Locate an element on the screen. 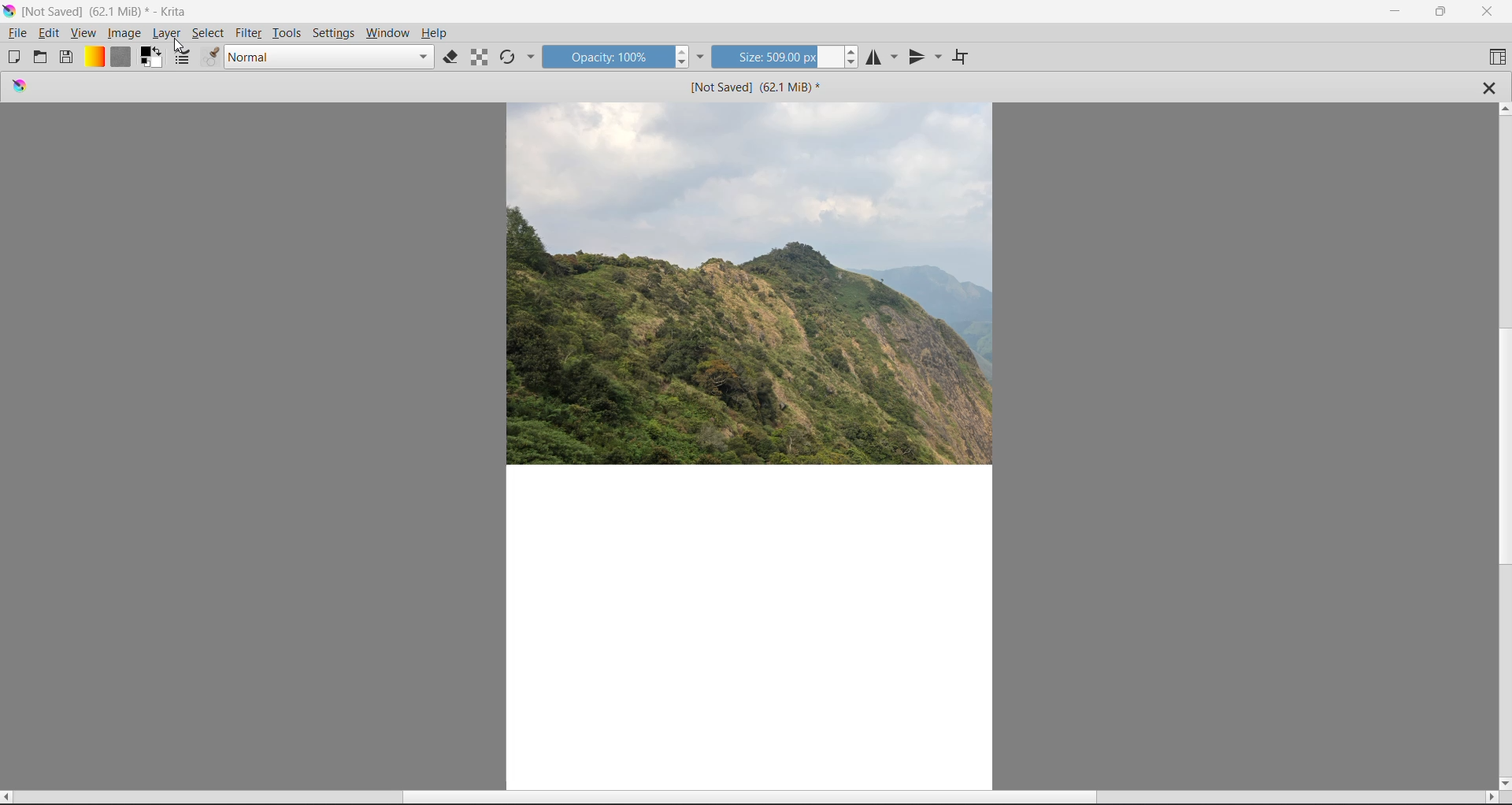  Create New Document is located at coordinates (13, 57).